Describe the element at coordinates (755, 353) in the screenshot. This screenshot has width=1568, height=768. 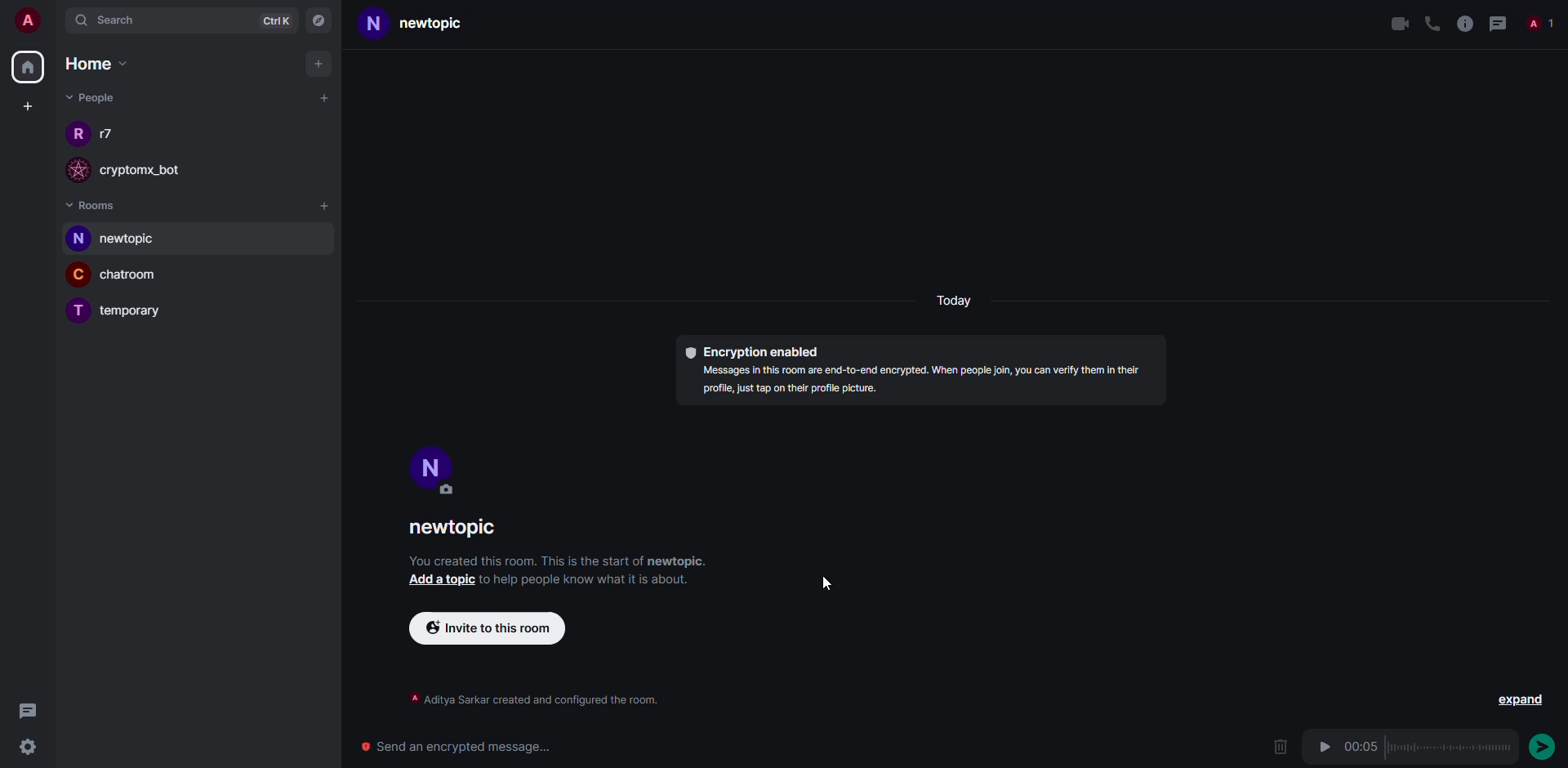
I see `encryption enabled` at that location.